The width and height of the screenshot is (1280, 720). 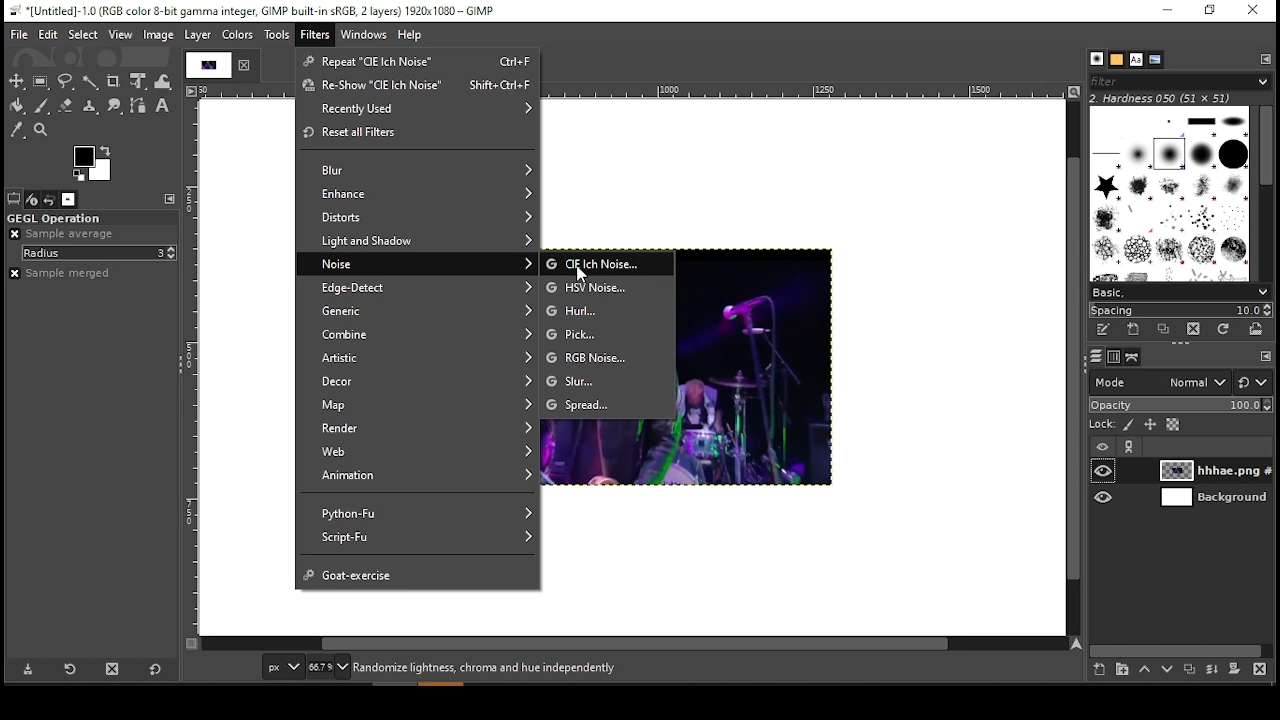 What do you see at coordinates (1148, 670) in the screenshot?
I see `move layer on step up` at bounding box center [1148, 670].